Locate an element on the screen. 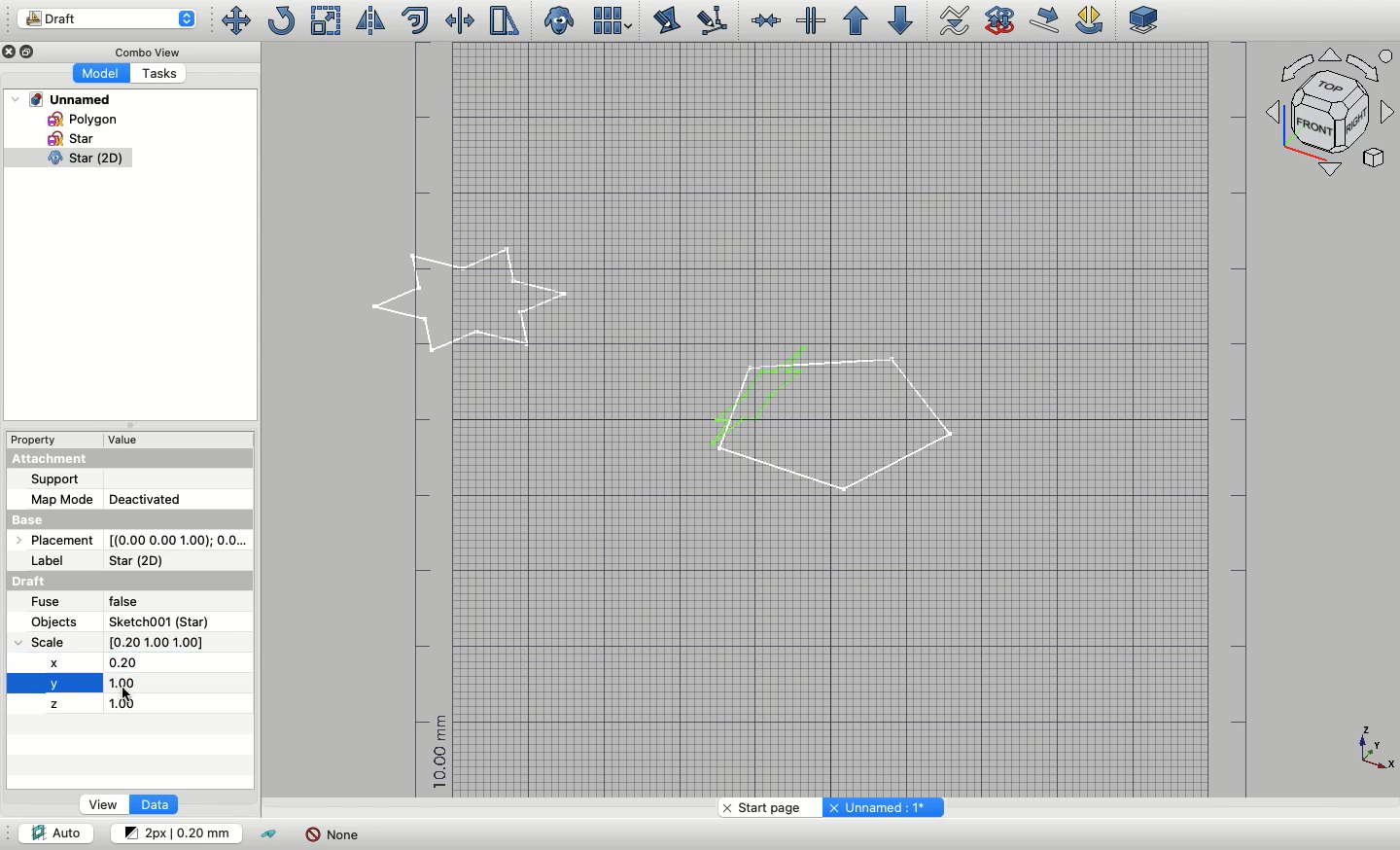 This screenshot has height=850, width=1400. [90.00 0.00 1.00); 0.0... is located at coordinates (177, 539).